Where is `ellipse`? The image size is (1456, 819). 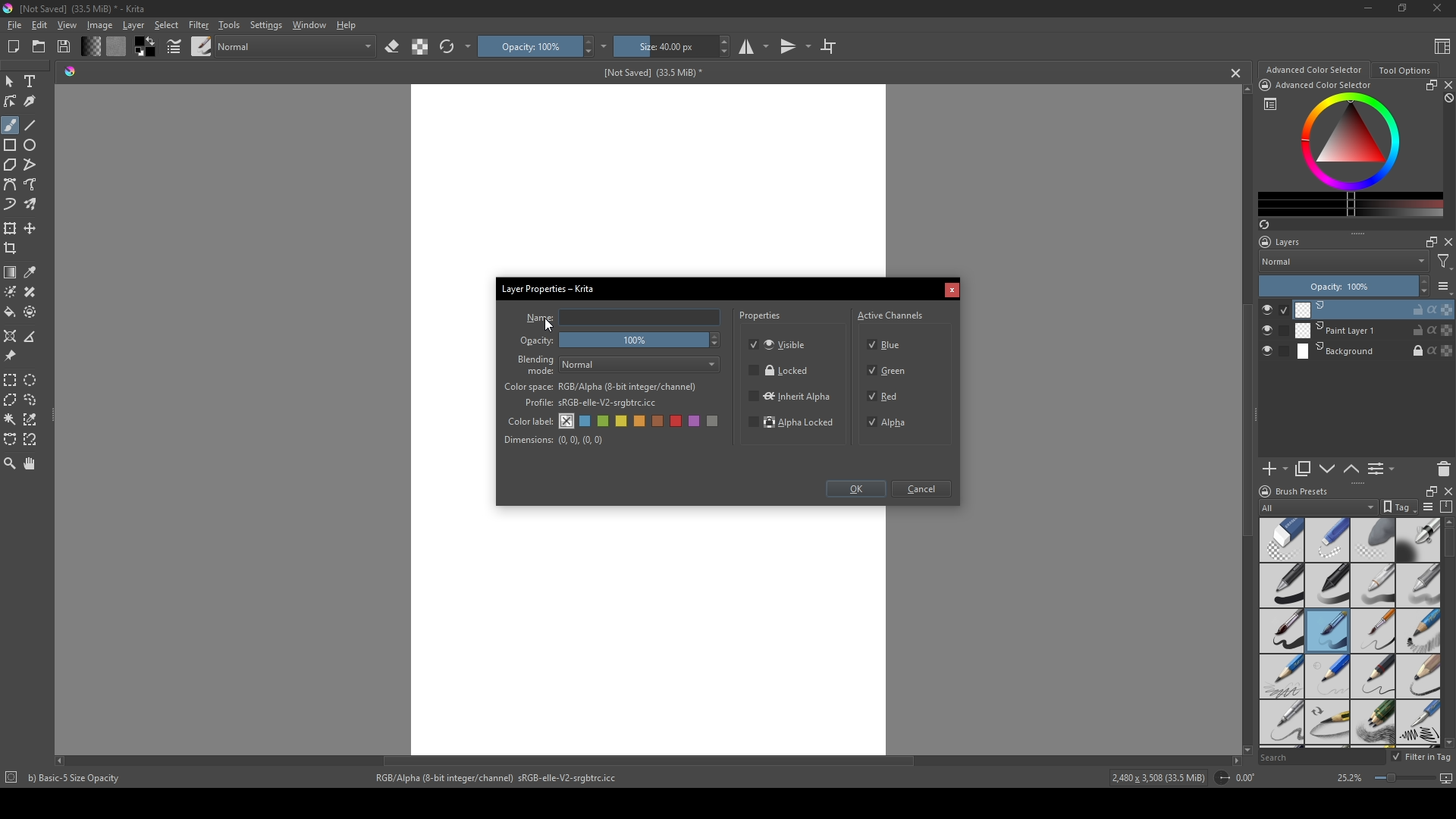
ellipse is located at coordinates (31, 145).